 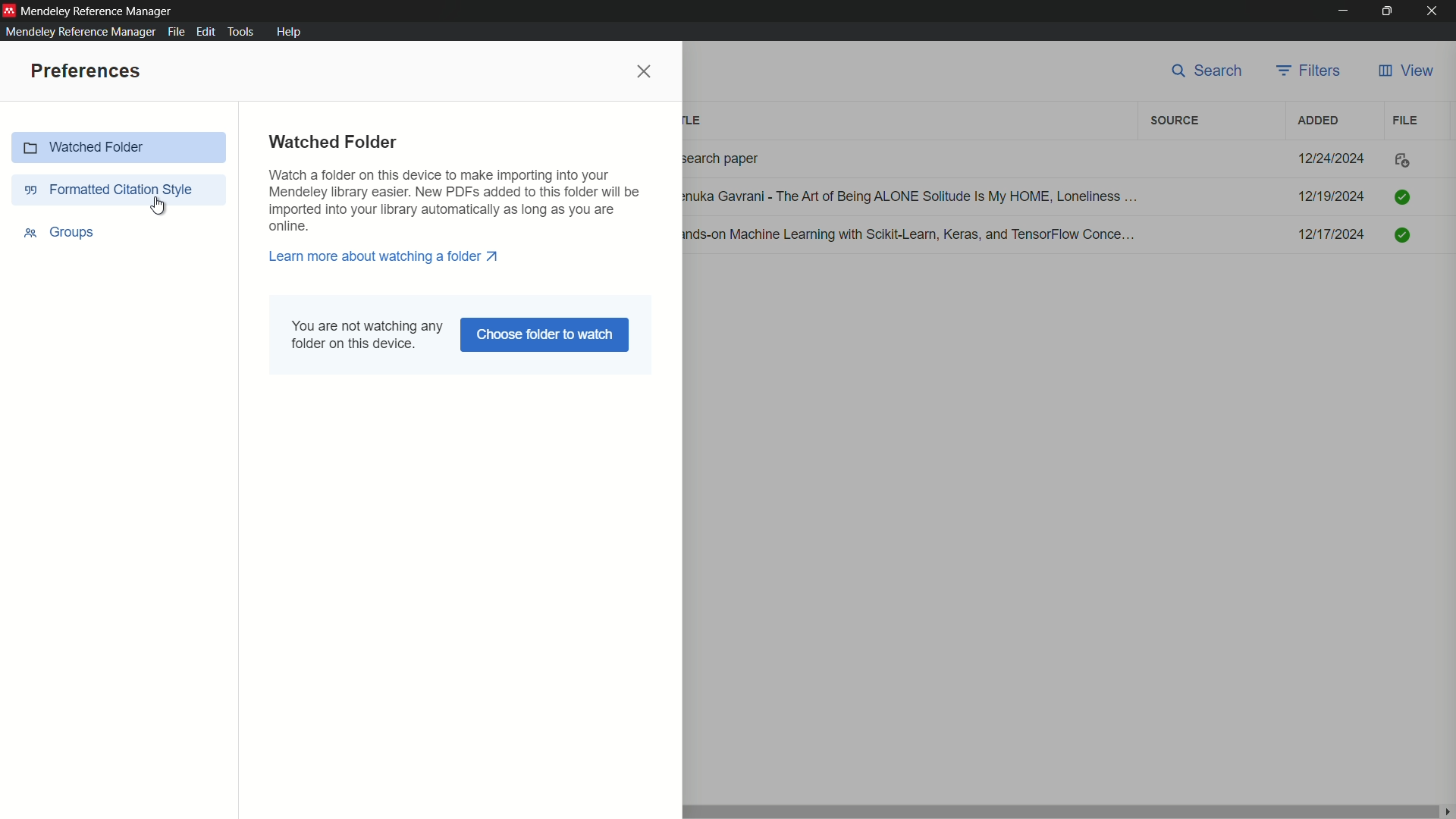 I want to click on details, so click(x=1056, y=158).